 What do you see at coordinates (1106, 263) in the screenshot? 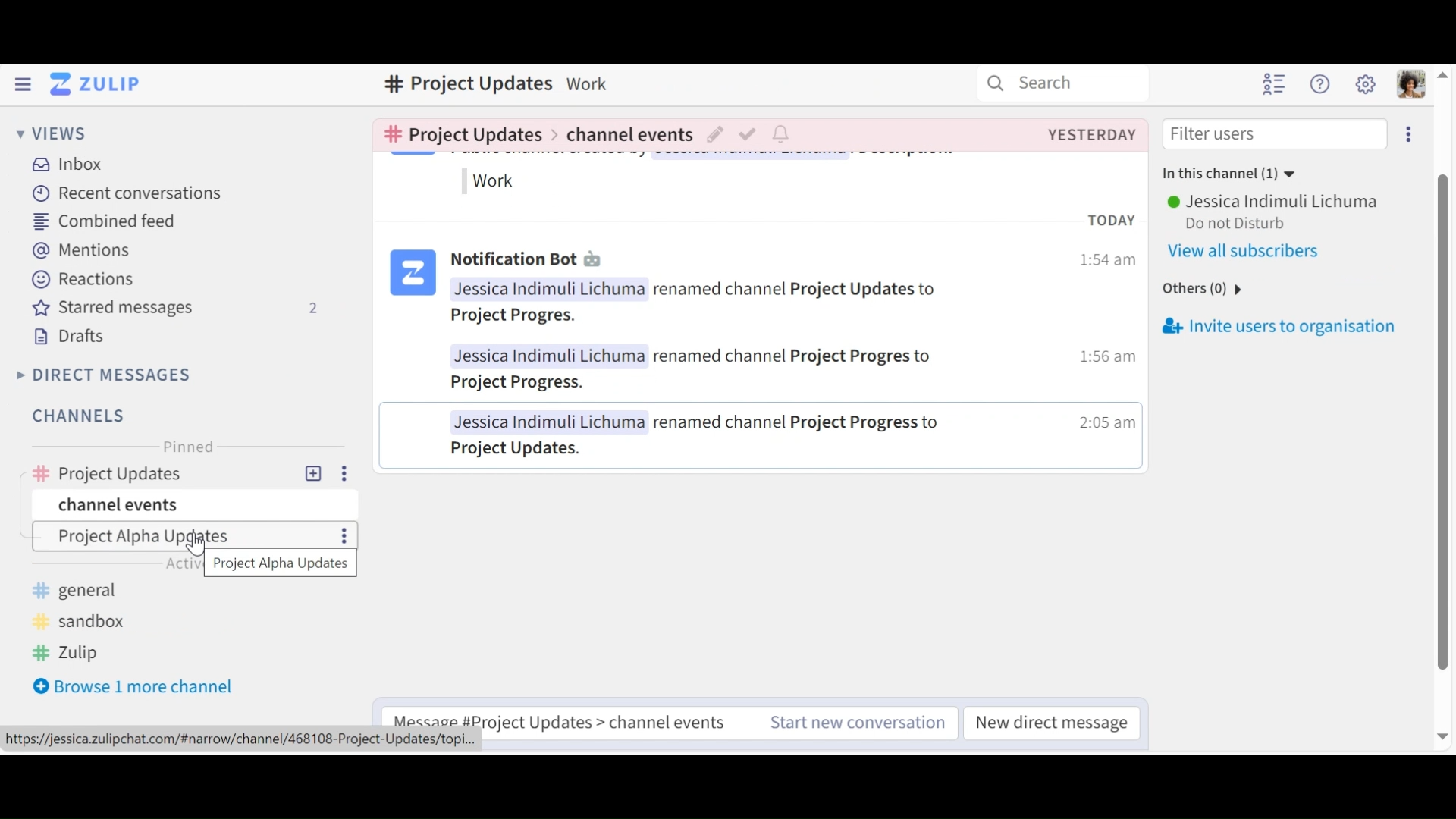
I see `1:54 am` at bounding box center [1106, 263].